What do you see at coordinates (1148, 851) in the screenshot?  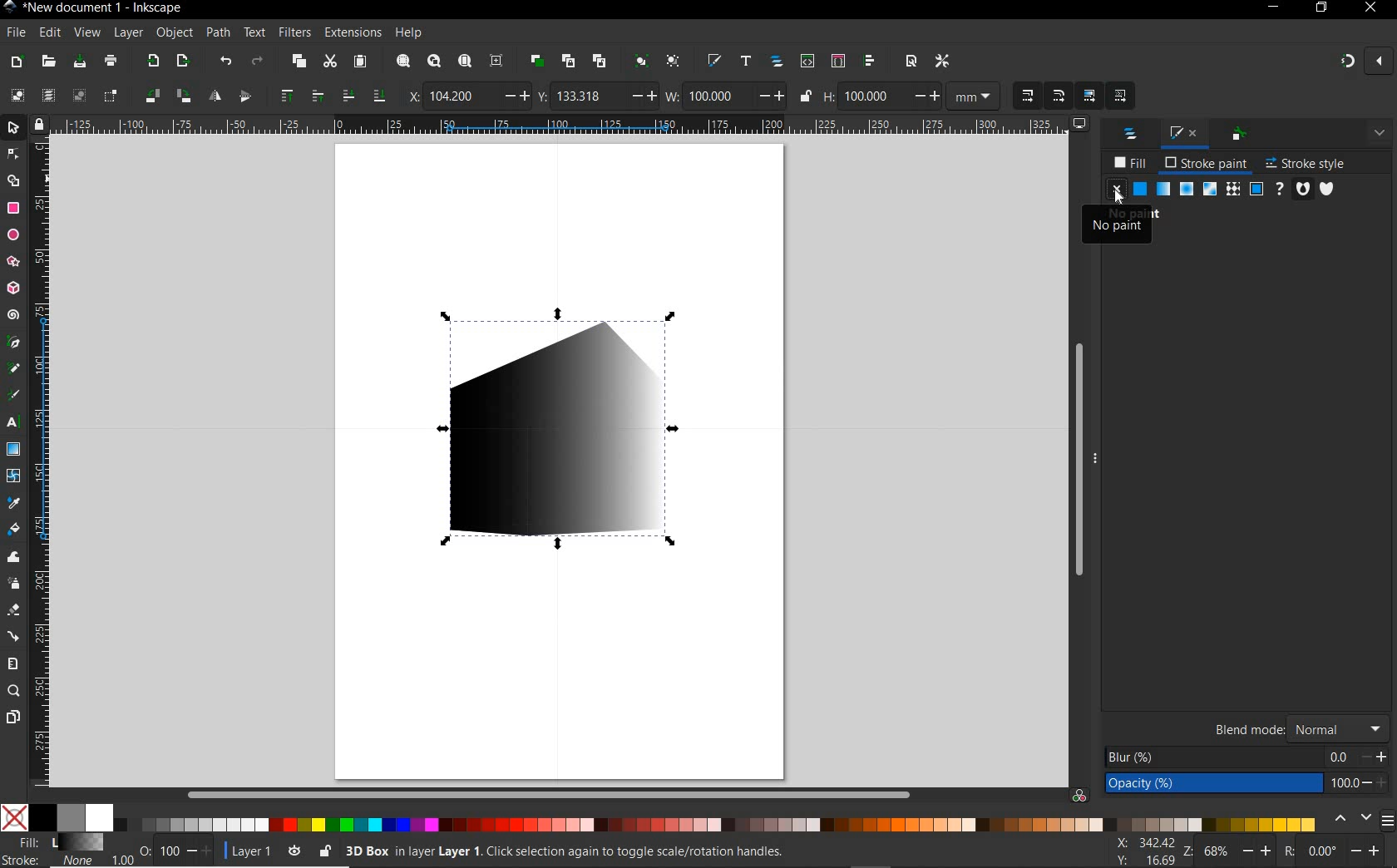 I see `CURSOR COORDINATES` at bounding box center [1148, 851].